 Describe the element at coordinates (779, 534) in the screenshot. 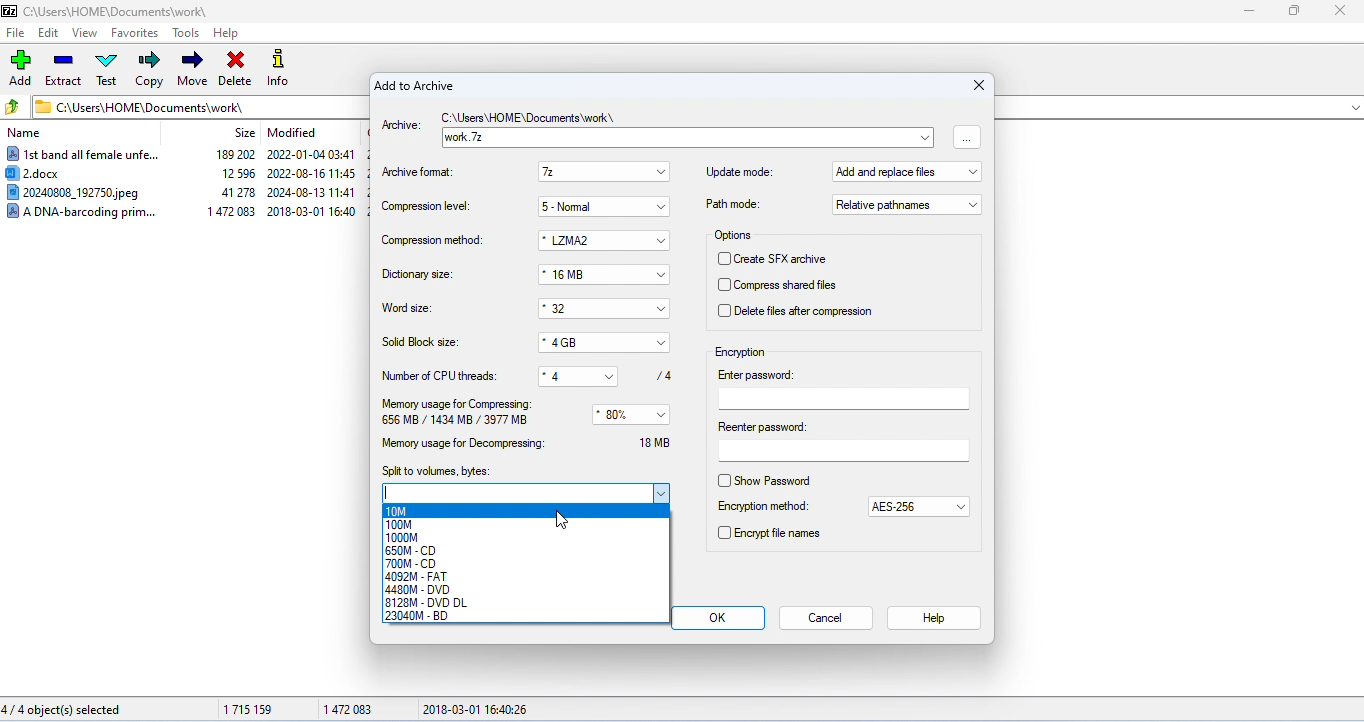

I see `encrypt file names` at that location.